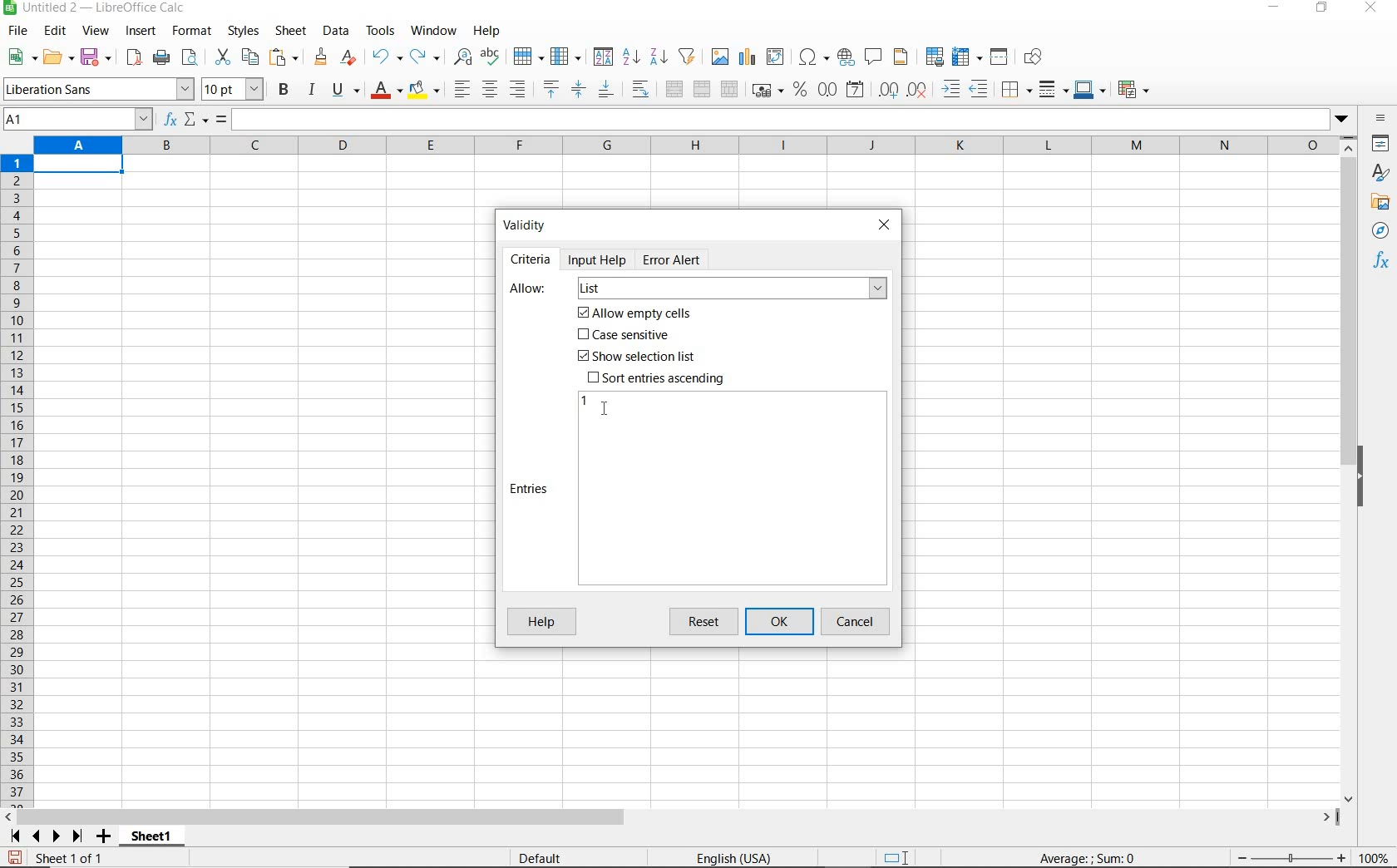 The width and height of the screenshot is (1397, 868). Describe the element at coordinates (1132, 90) in the screenshot. I see `coditional` at that location.